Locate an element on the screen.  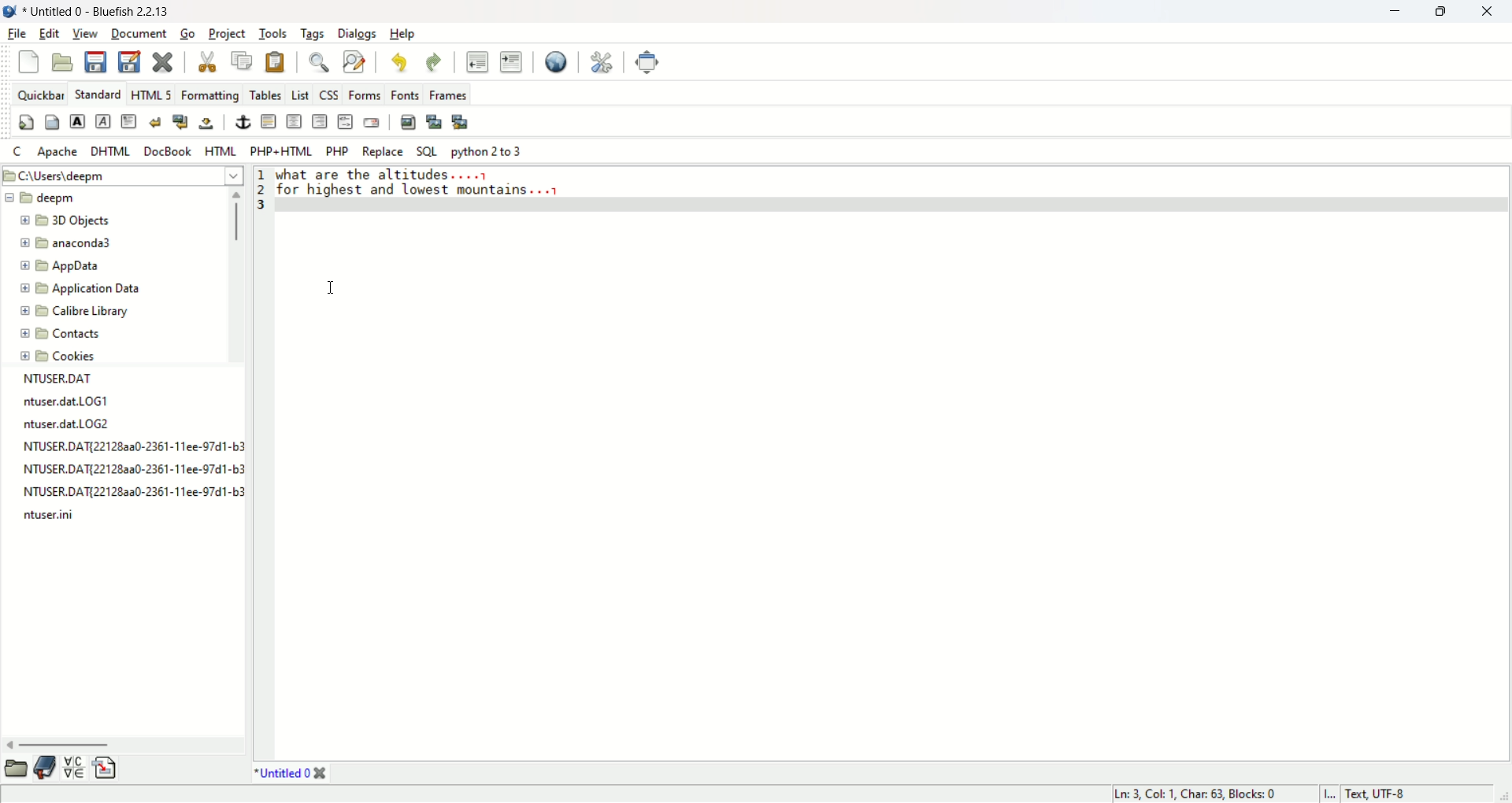
edit is located at coordinates (46, 33).